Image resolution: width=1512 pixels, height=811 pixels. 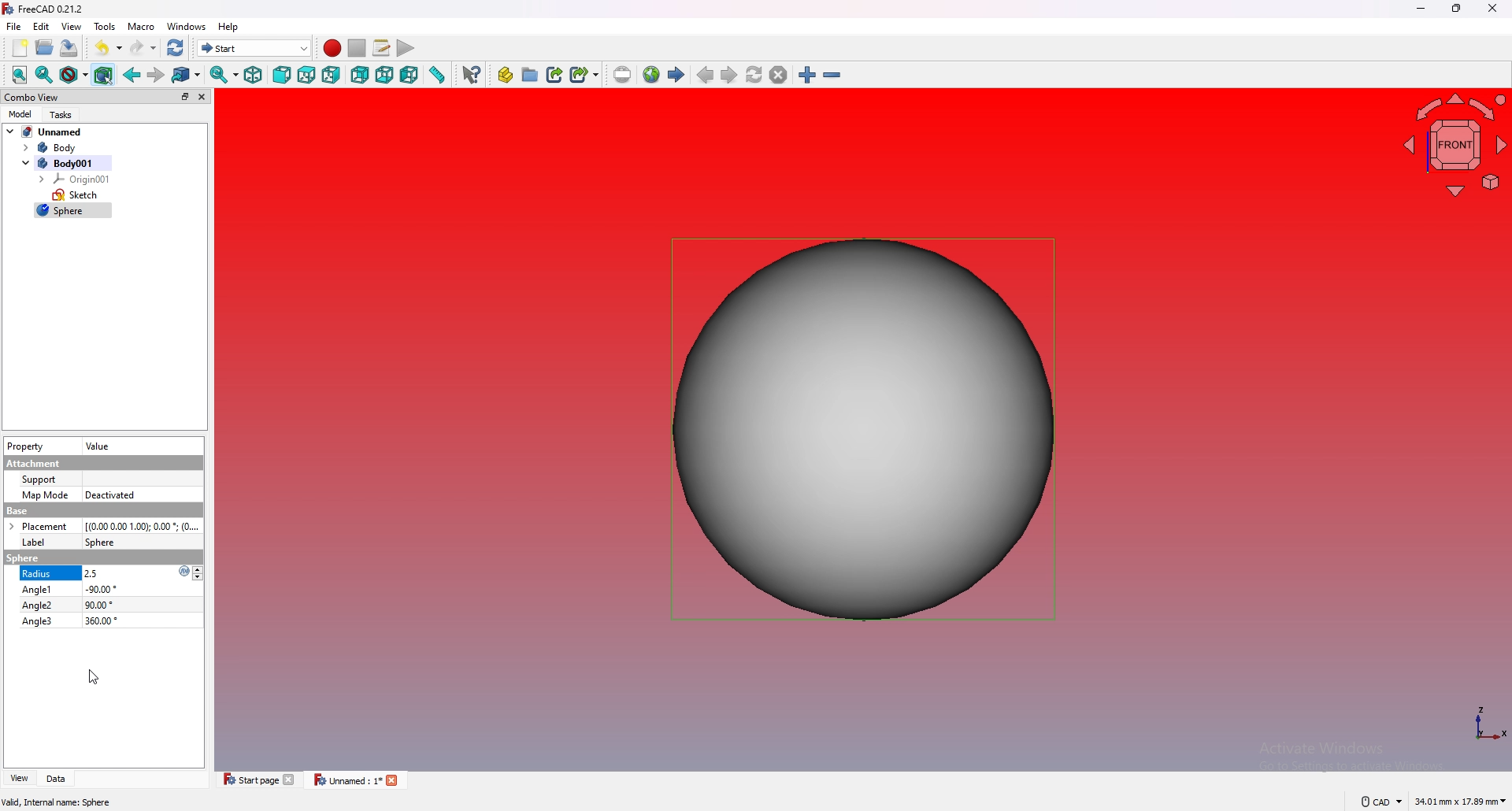 I want to click on base, so click(x=102, y=511).